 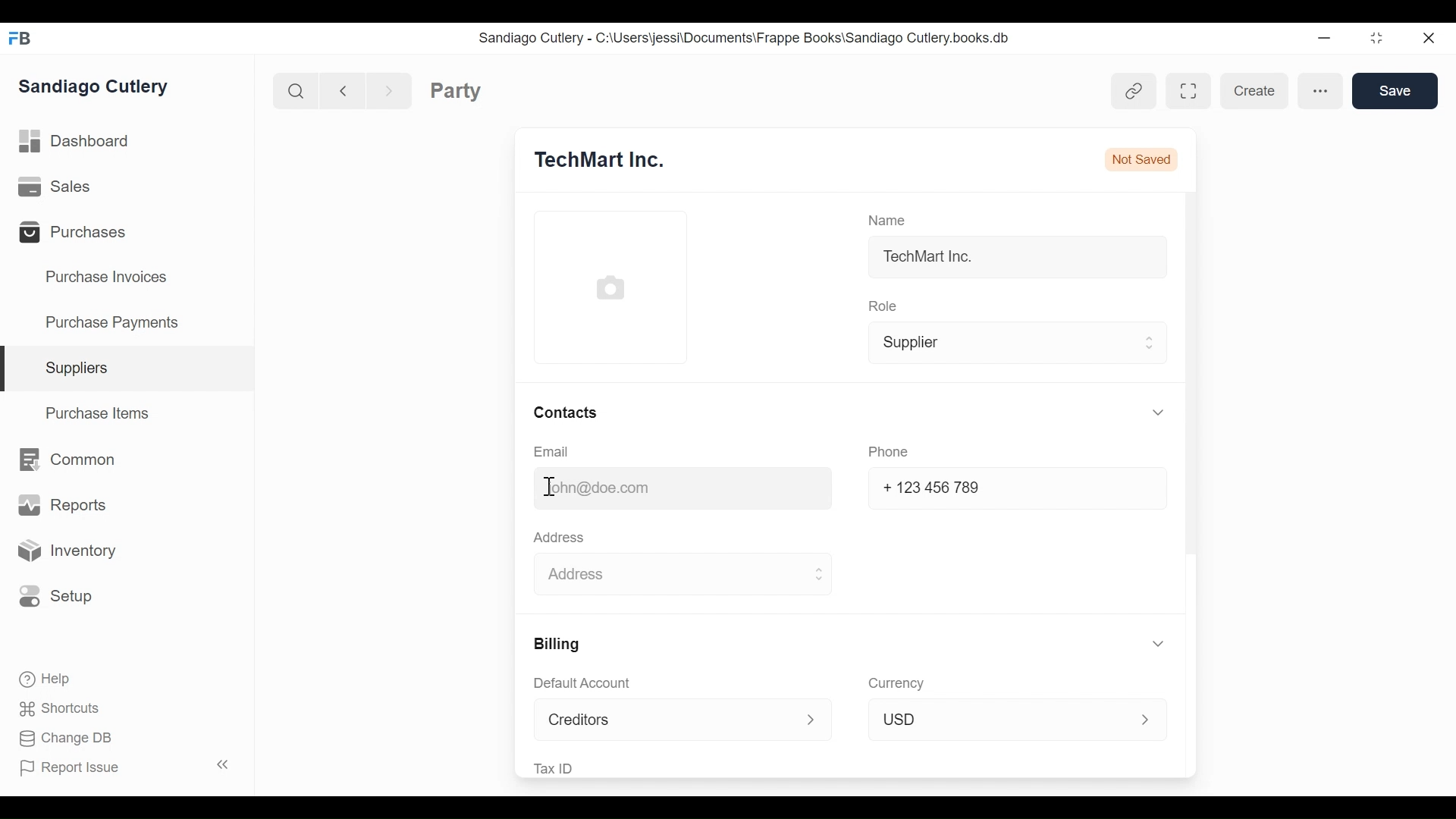 What do you see at coordinates (887, 452) in the screenshot?
I see `Phone` at bounding box center [887, 452].